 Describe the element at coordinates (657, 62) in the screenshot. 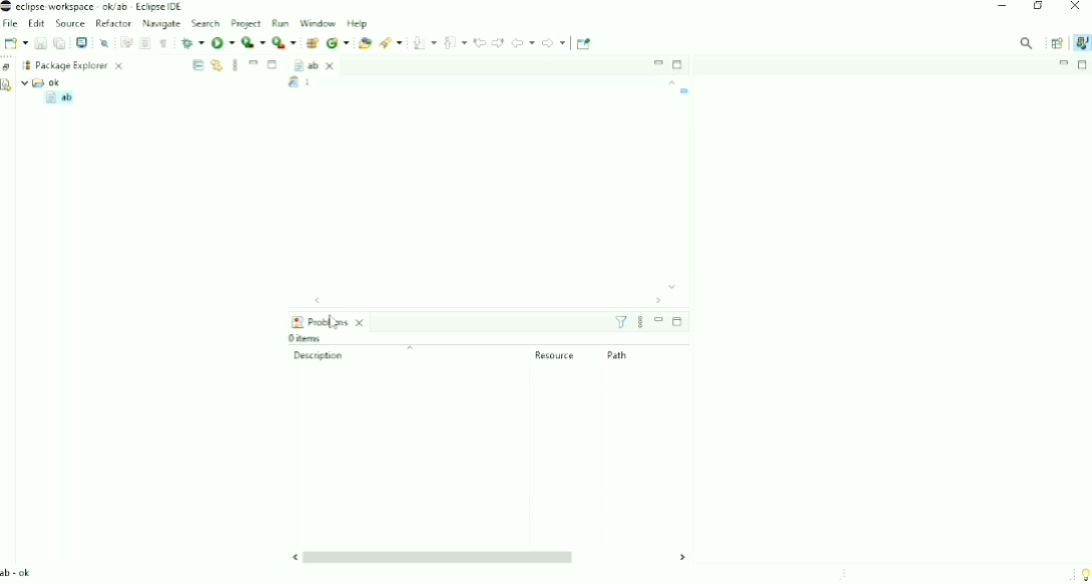

I see `Minimize` at that location.